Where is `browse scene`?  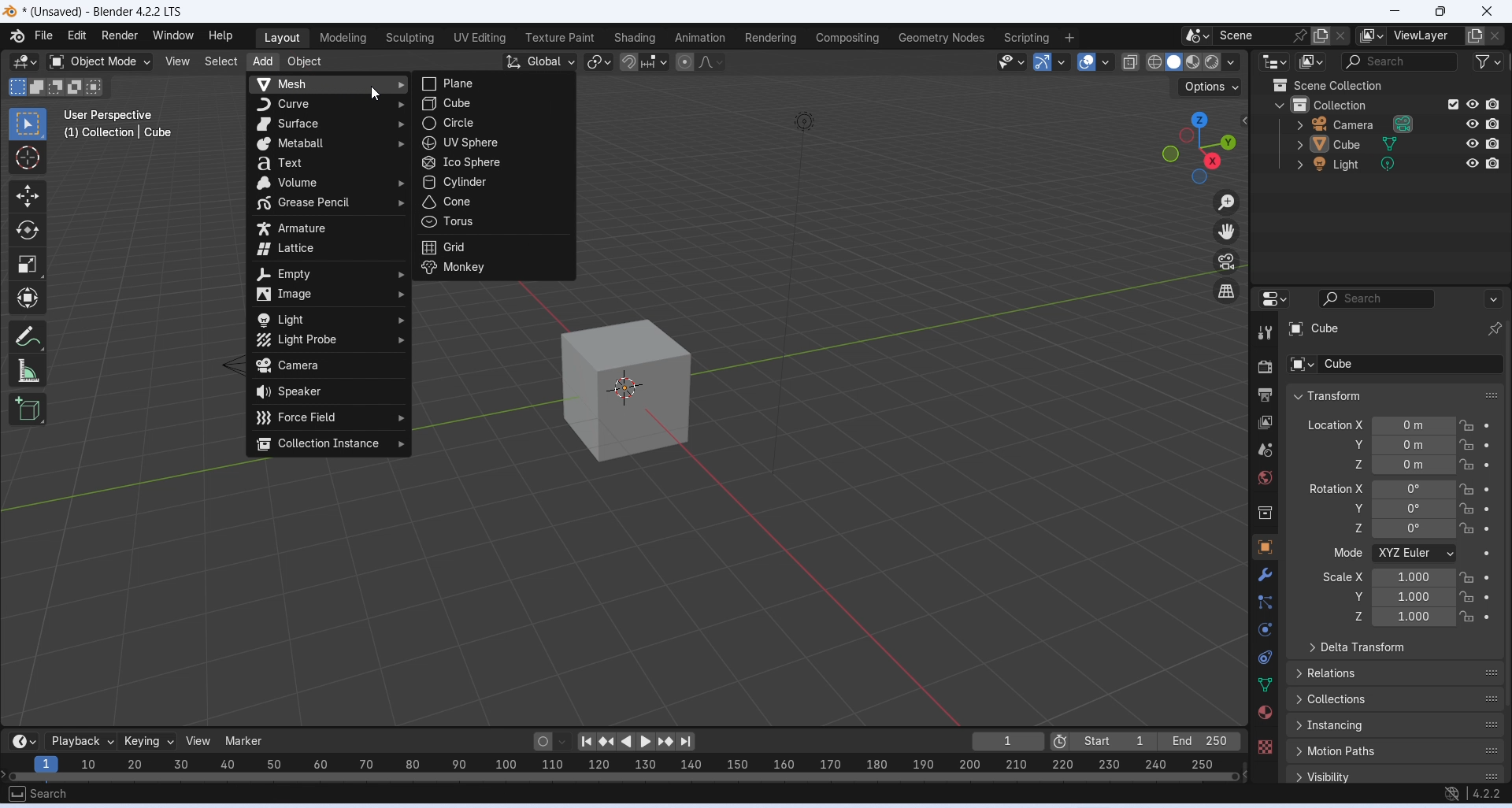 browse scene is located at coordinates (1198, 35).